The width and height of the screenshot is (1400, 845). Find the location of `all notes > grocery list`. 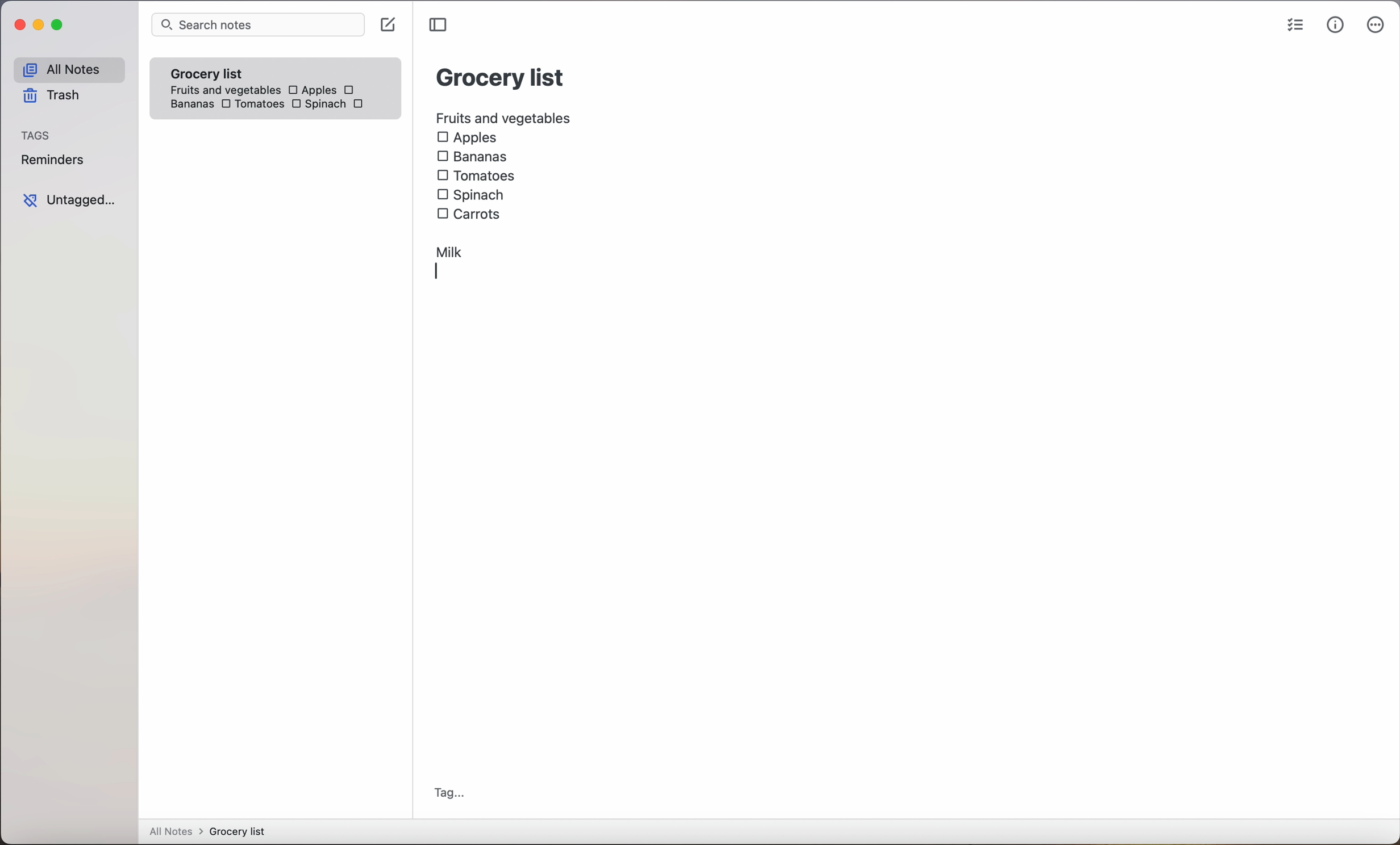

all notes > grocery list is located at coordinates (212, 833).